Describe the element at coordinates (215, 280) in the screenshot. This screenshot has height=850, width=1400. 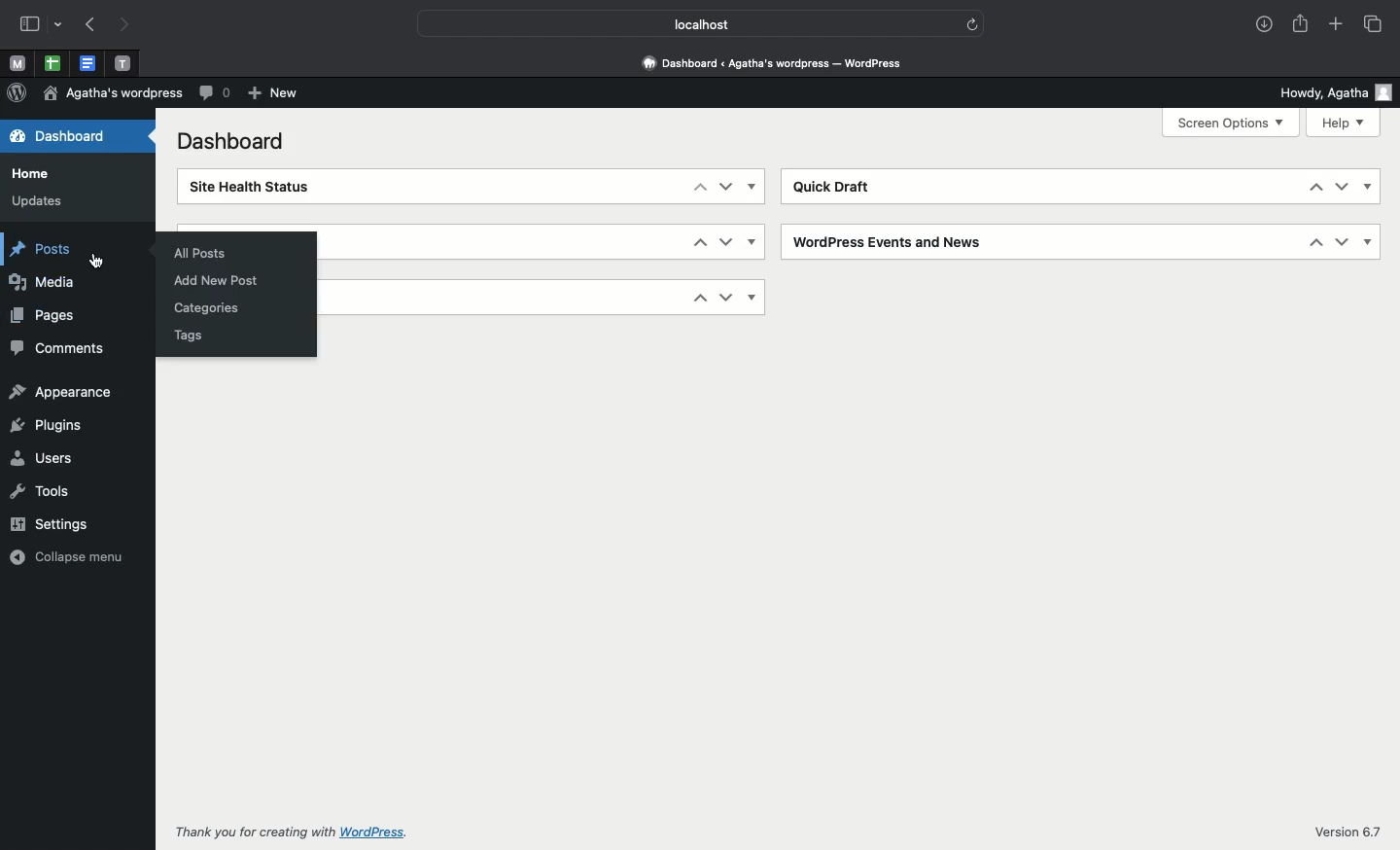
I see `Add new post` at that location.